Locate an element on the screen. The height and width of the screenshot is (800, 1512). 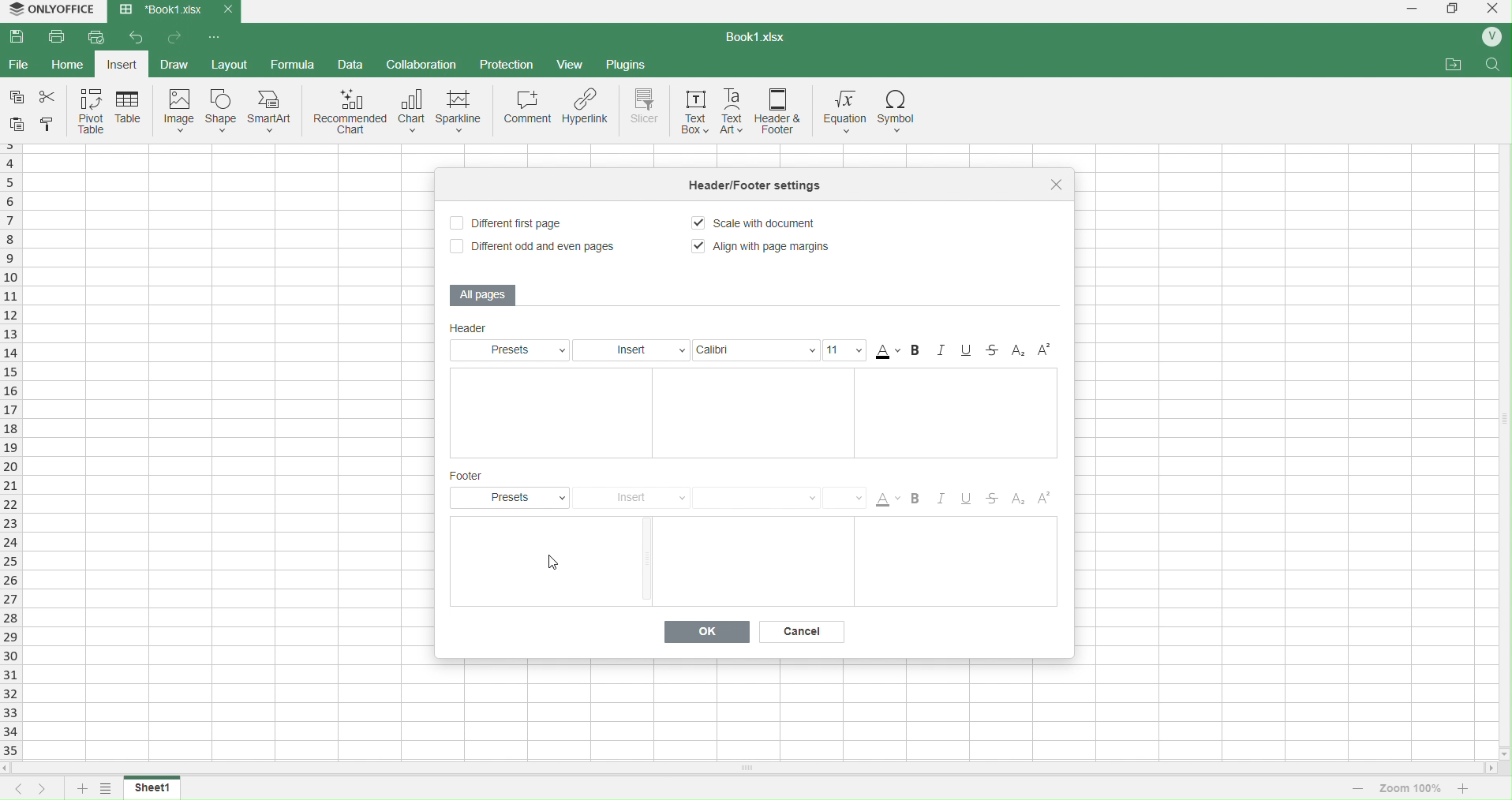
Insert is located at coordinates (633, 497).